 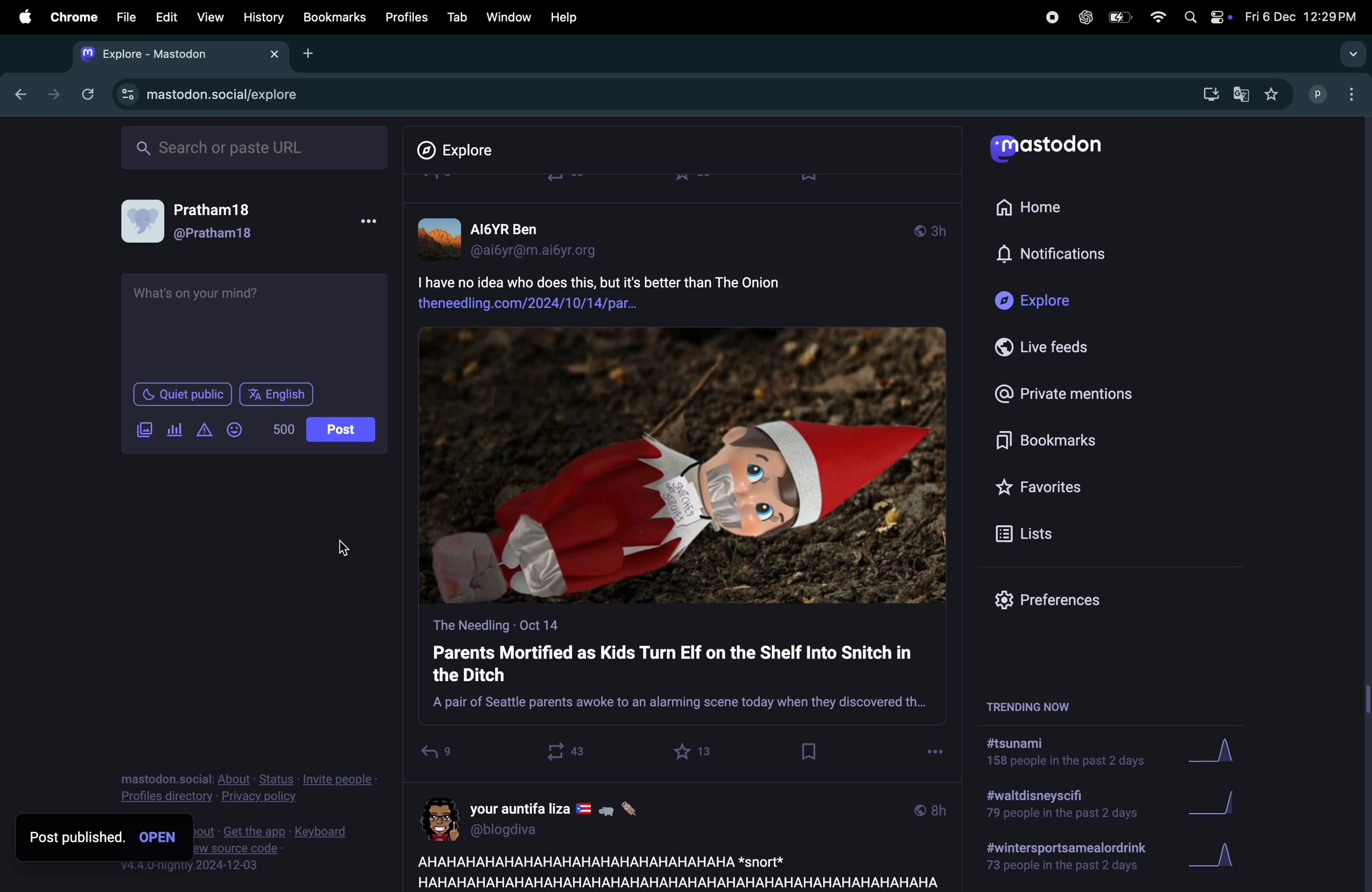 I want to click on emoji, so click(x=233, y=429).